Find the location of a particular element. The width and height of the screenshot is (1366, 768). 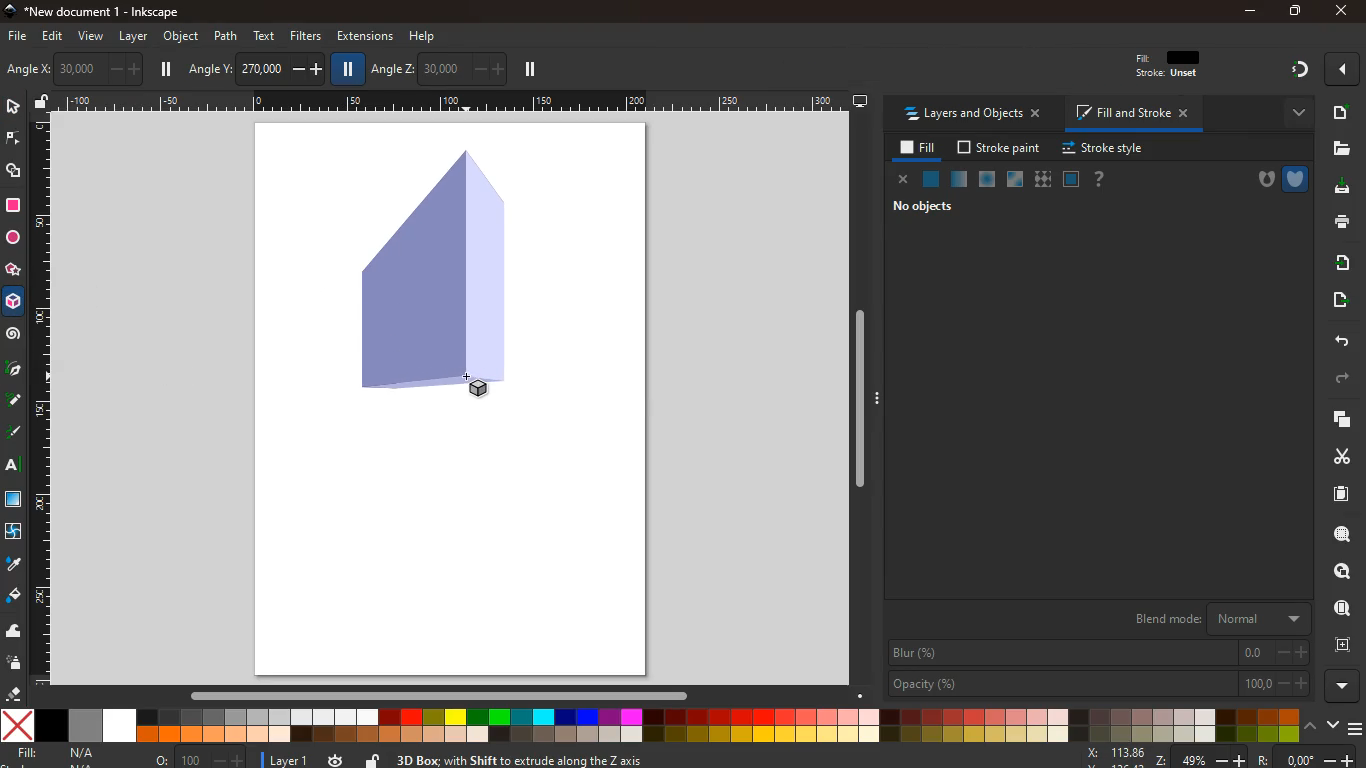

back is located at coordinates (1340, 340).